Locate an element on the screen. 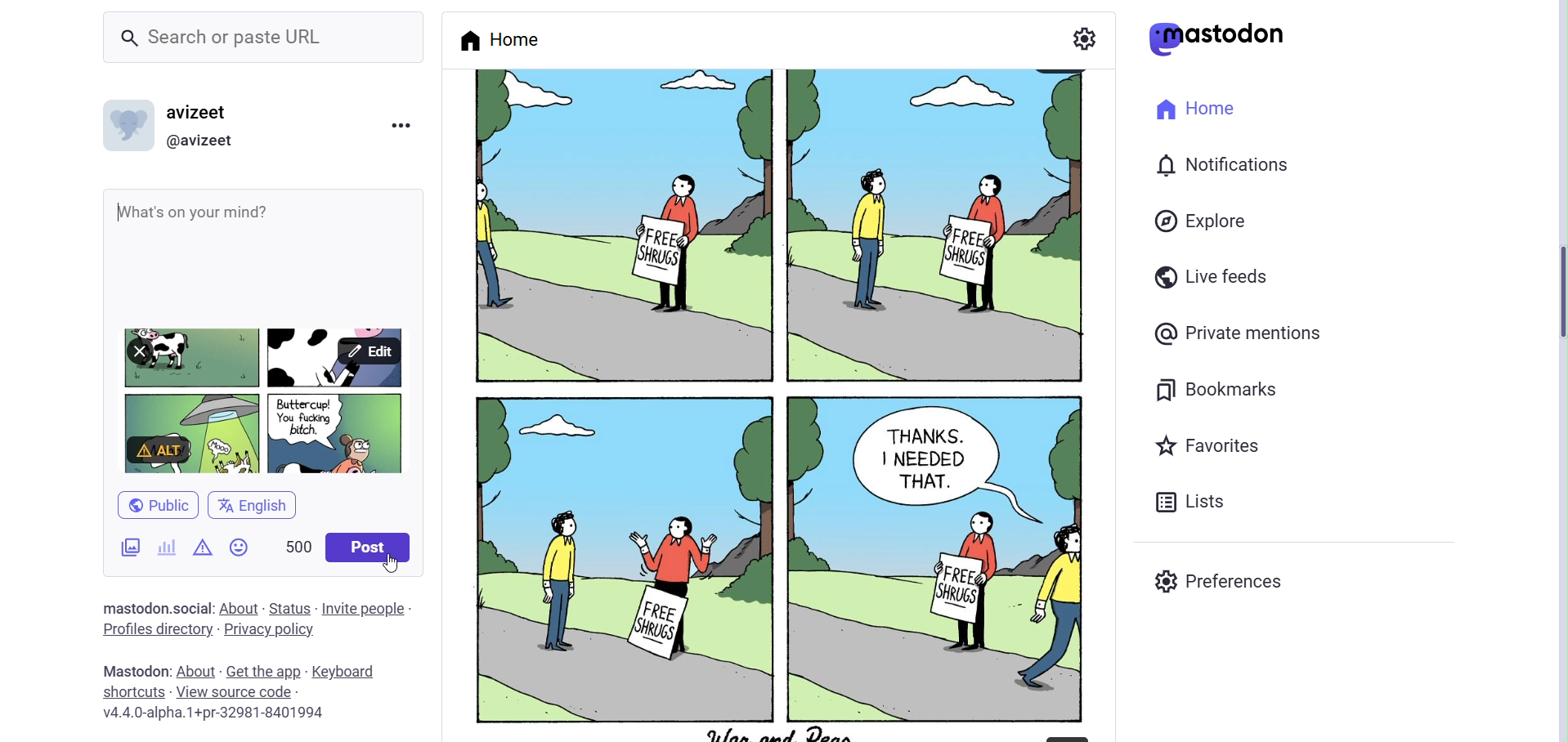 The width and height of the screenshot is (1568, 742). @ Username is located at coordinates (208, 141).